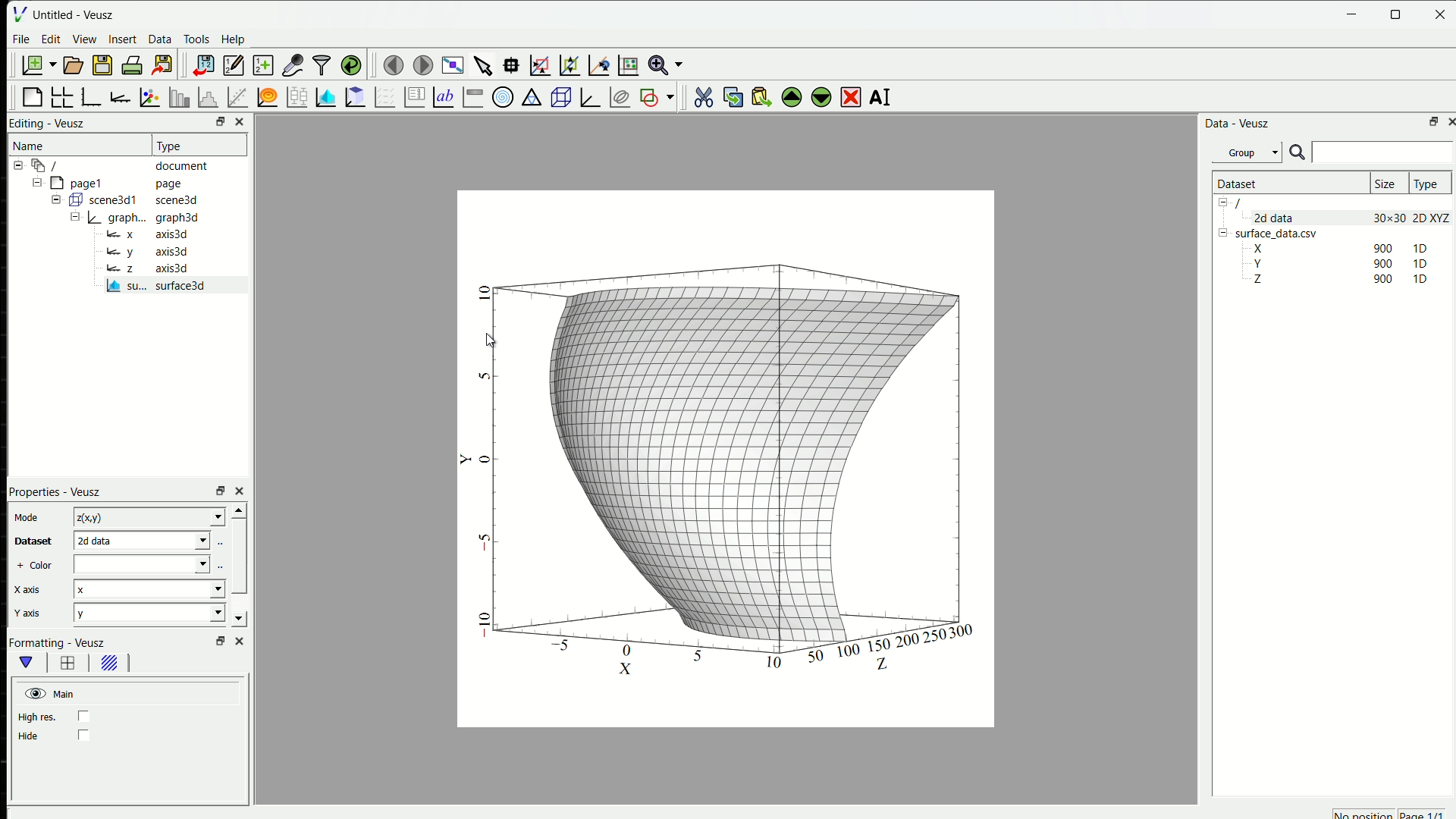 Image resolution: width=1456 pixels, height=819 pixels. What do you see at coordinates (107, 199) in the screenshot?
I see `` at bounding box center [107, 199].